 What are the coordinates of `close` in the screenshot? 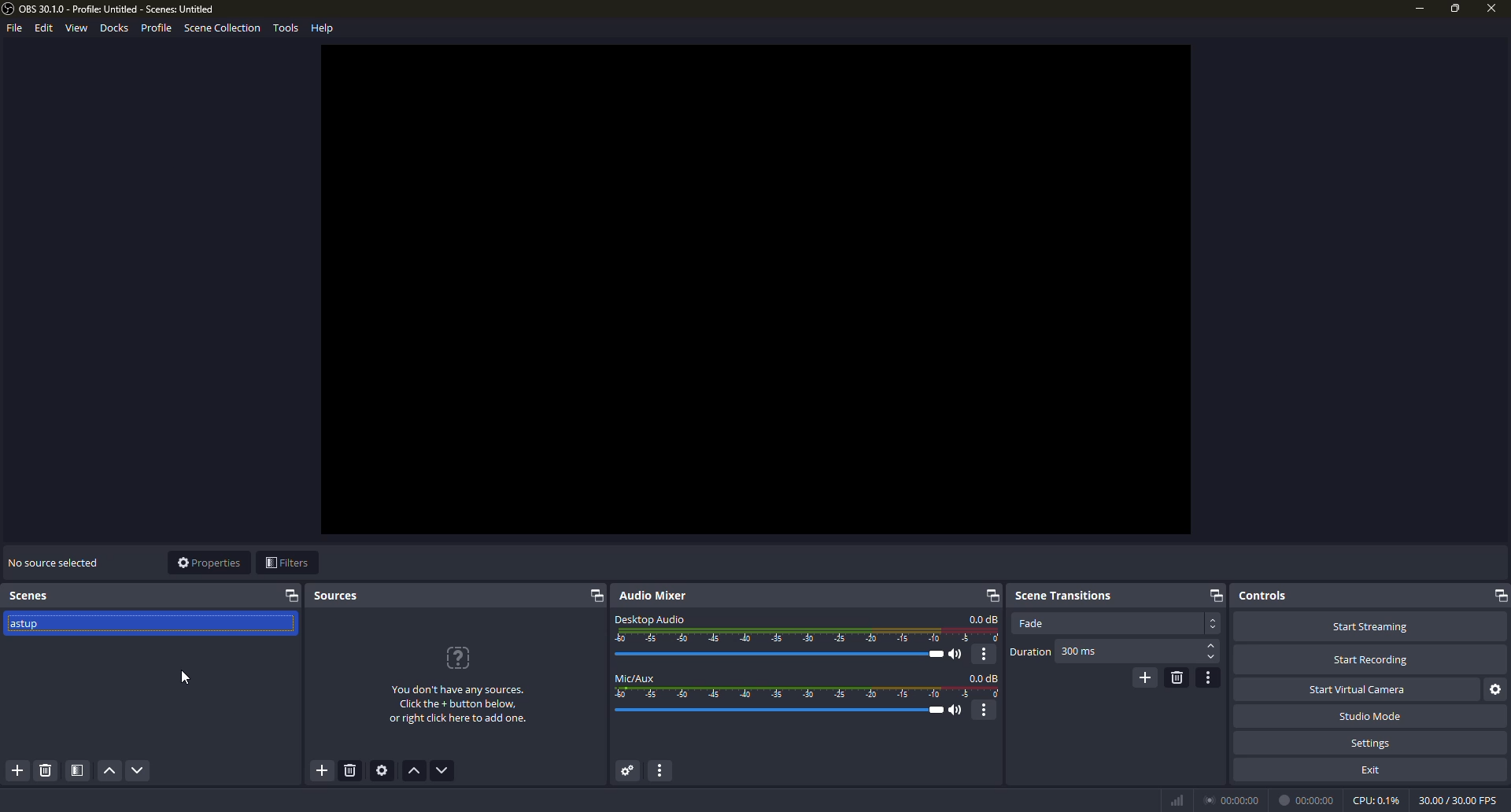 It's located at (1489, 10).